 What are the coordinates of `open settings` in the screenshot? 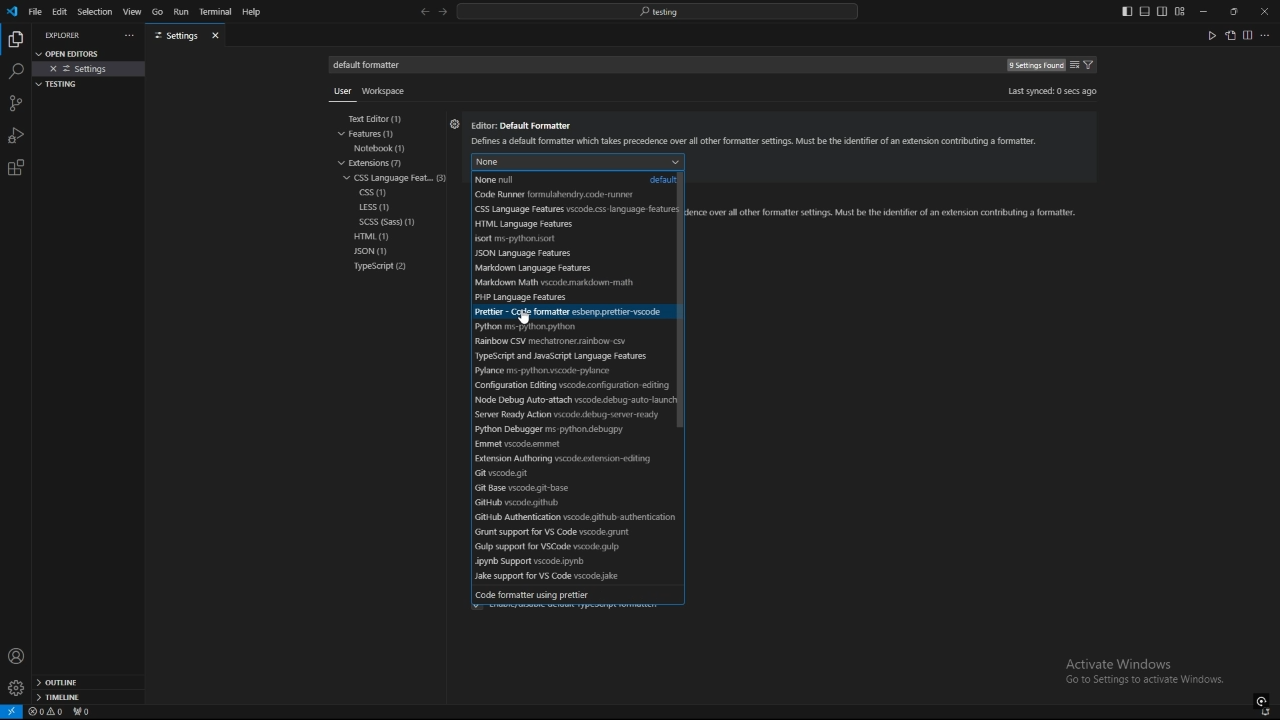 It's located at (1230, 35).